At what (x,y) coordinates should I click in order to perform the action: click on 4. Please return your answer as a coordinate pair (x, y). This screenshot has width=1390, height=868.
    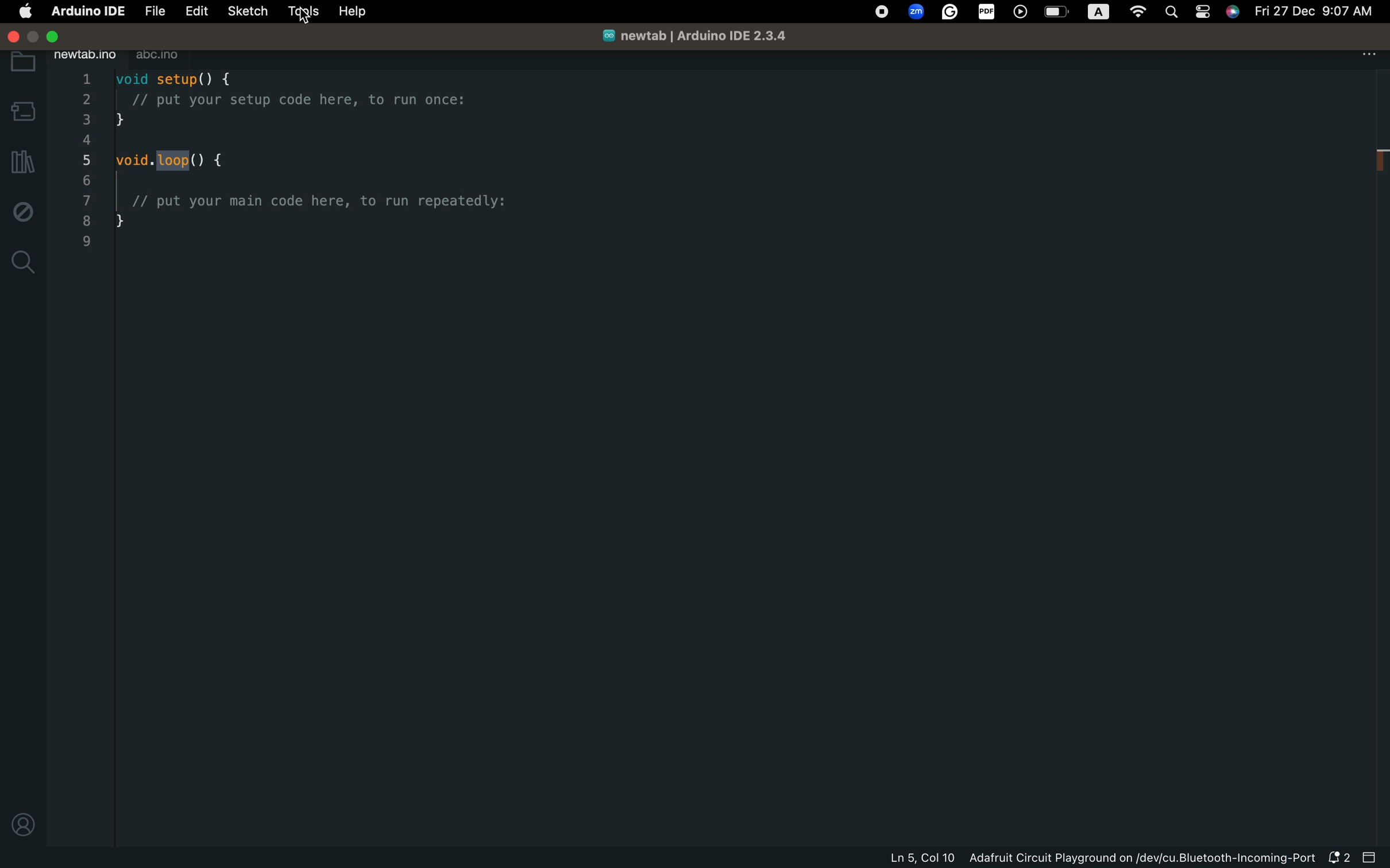
    Looking at the image, I should click on (86, 139).